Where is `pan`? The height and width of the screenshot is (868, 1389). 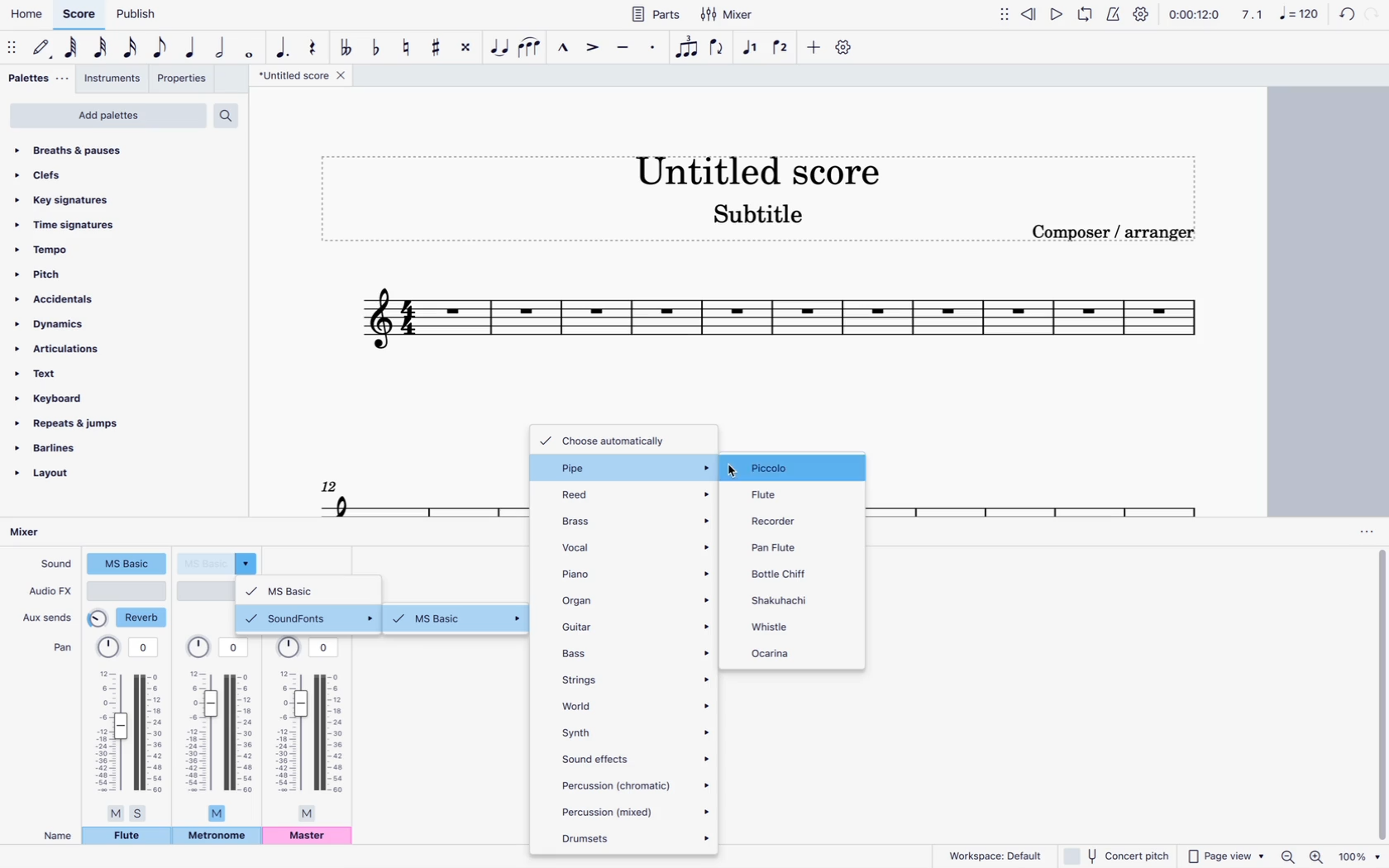
pan is located at coordinates (222, 730).